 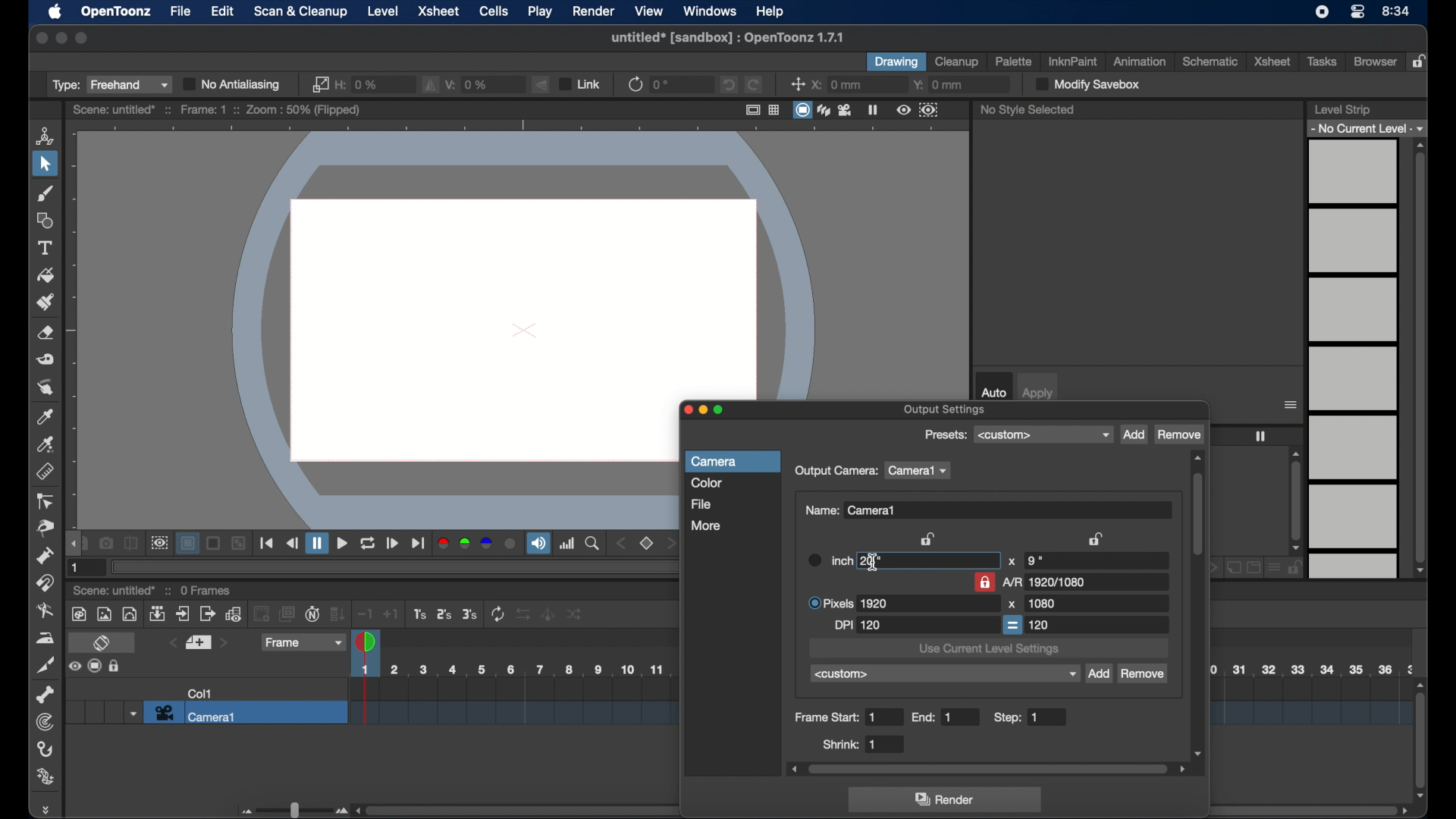 What do you see at coordinates (1260, 436) in the screenshot?
I see `freeze` at bounding box center [1260, 436].